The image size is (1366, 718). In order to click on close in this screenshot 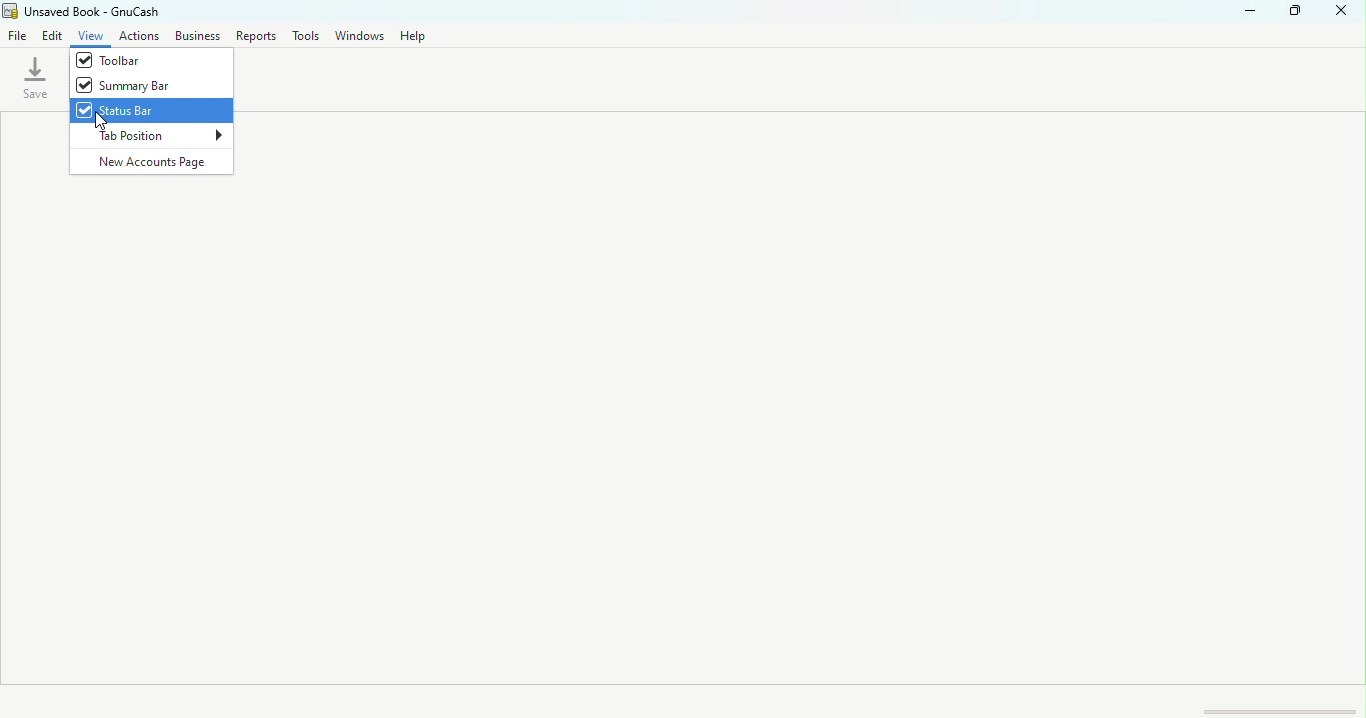, I will do `click(1347, 14)`.